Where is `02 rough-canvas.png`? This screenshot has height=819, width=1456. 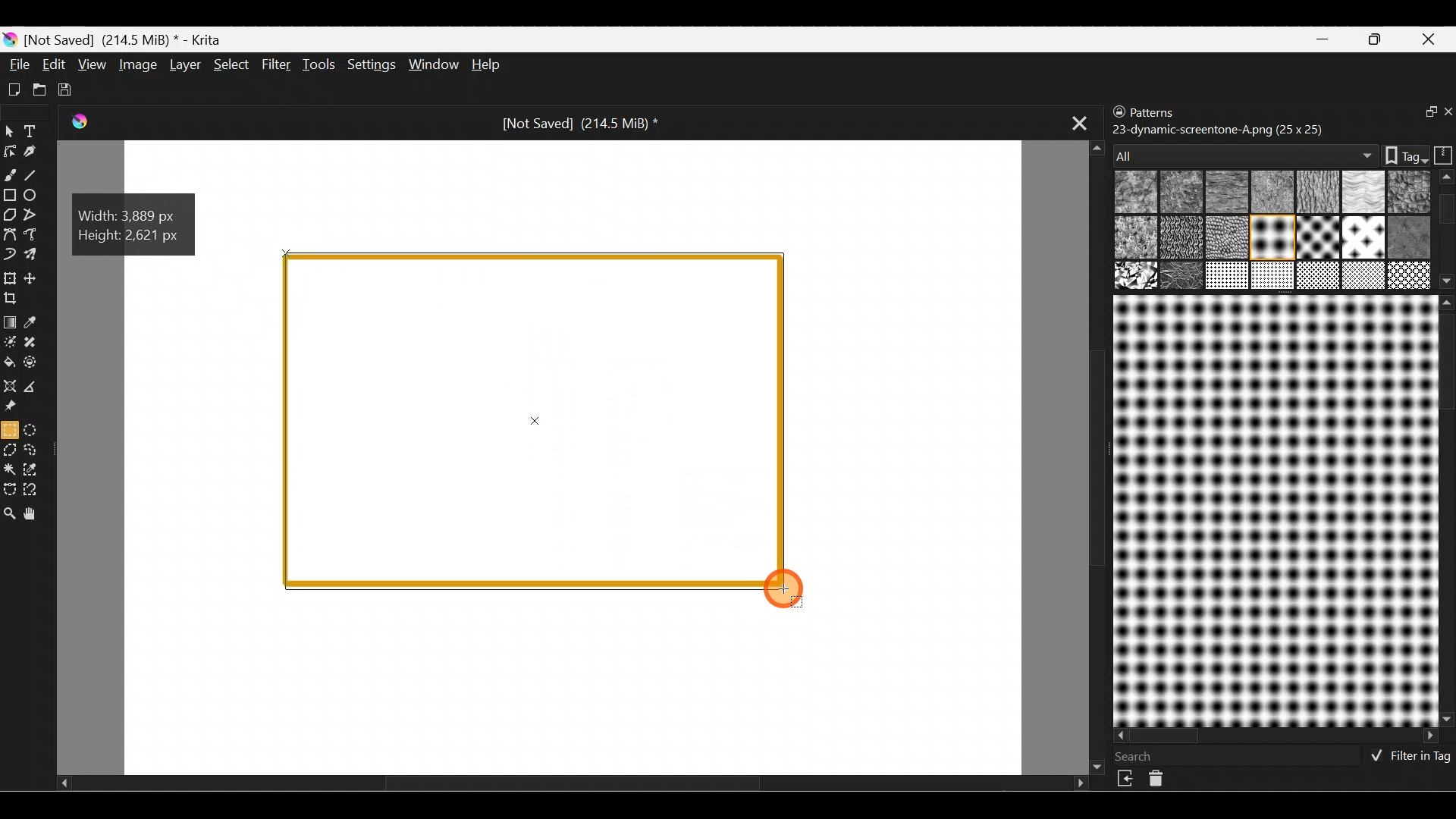
02 rough-canvas.png is located at coordinates (1181, 193).